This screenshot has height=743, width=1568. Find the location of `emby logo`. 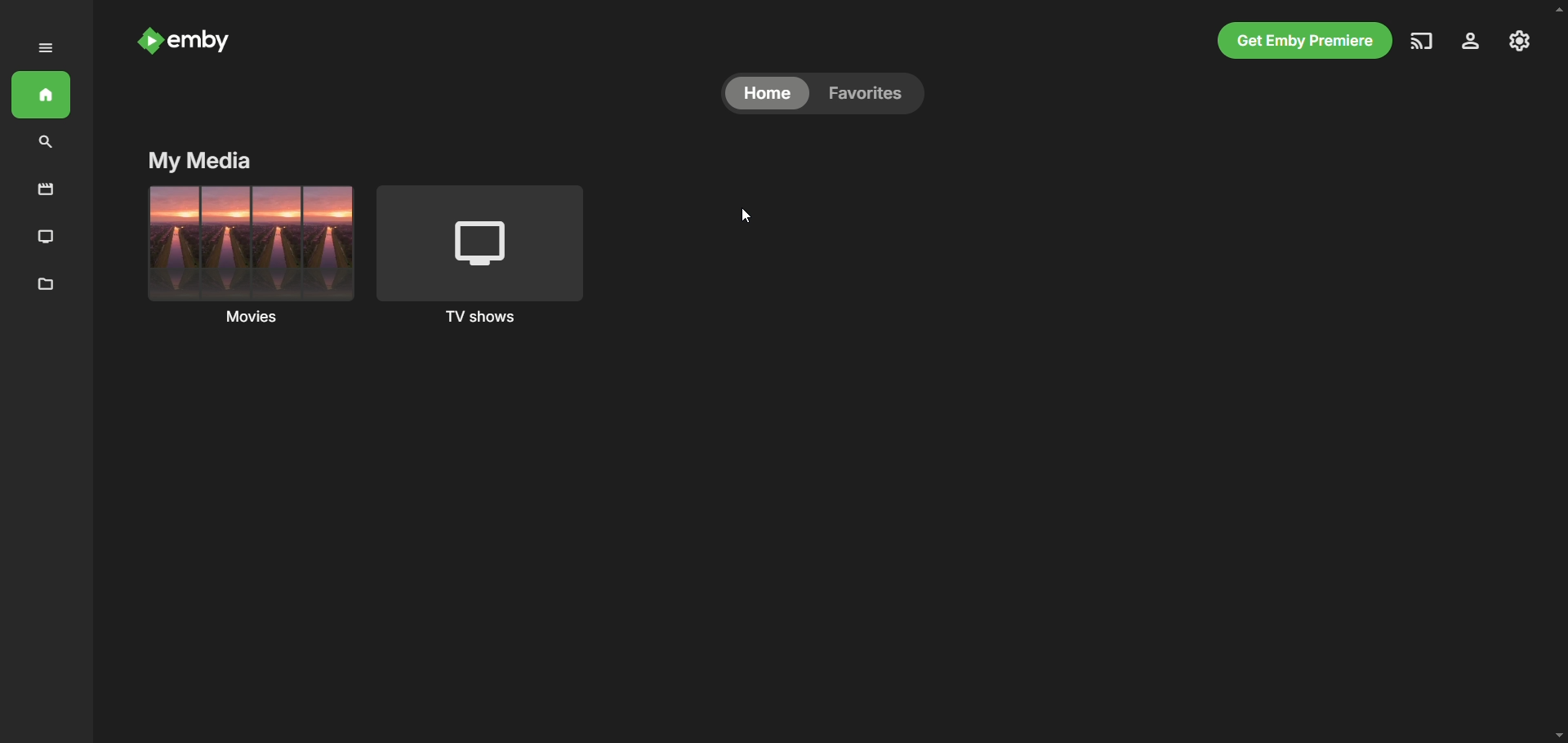

emby logo is located at coordinates (149, 42).